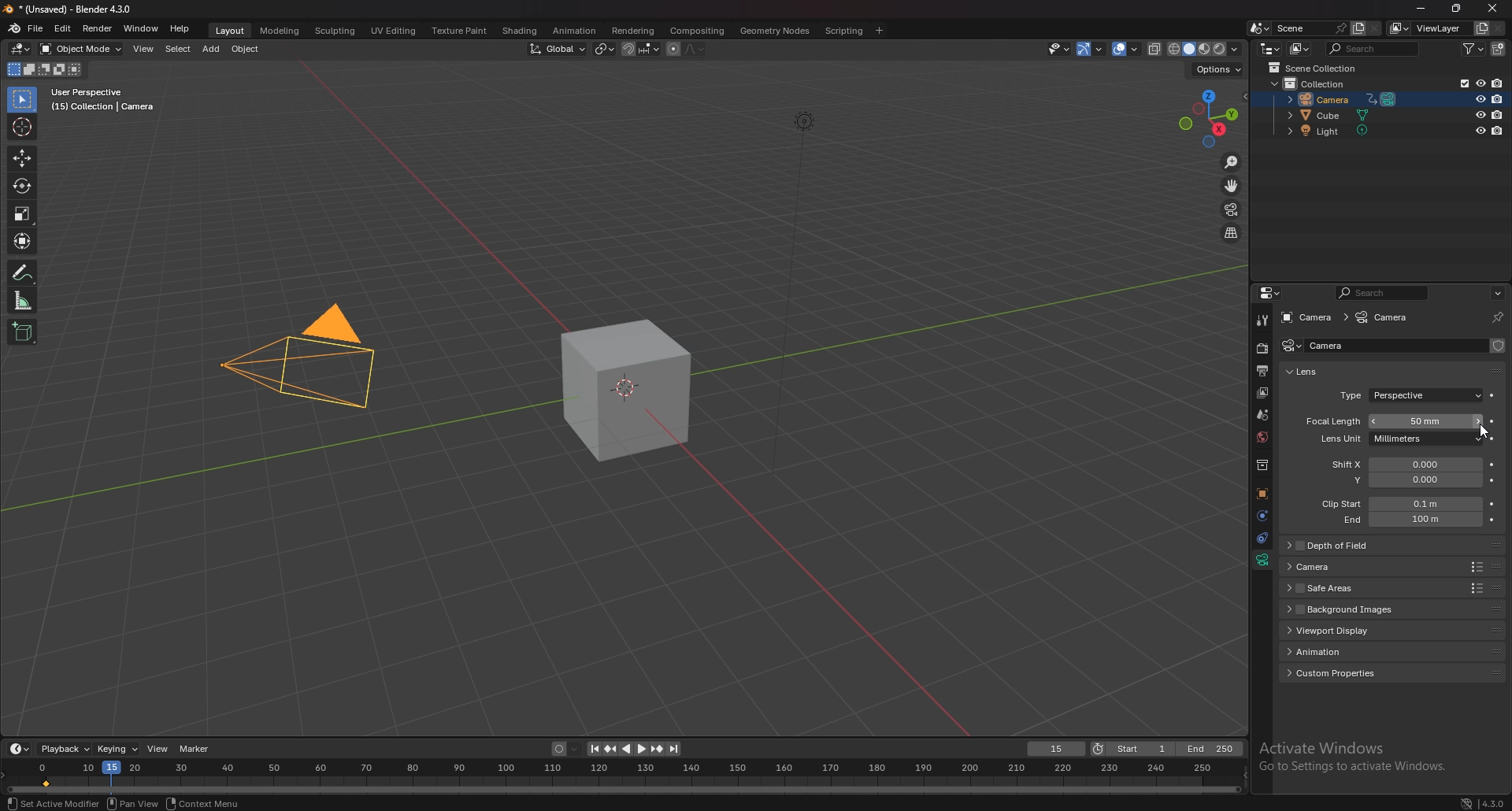  I want to click on fake user, so click(1498, 345).